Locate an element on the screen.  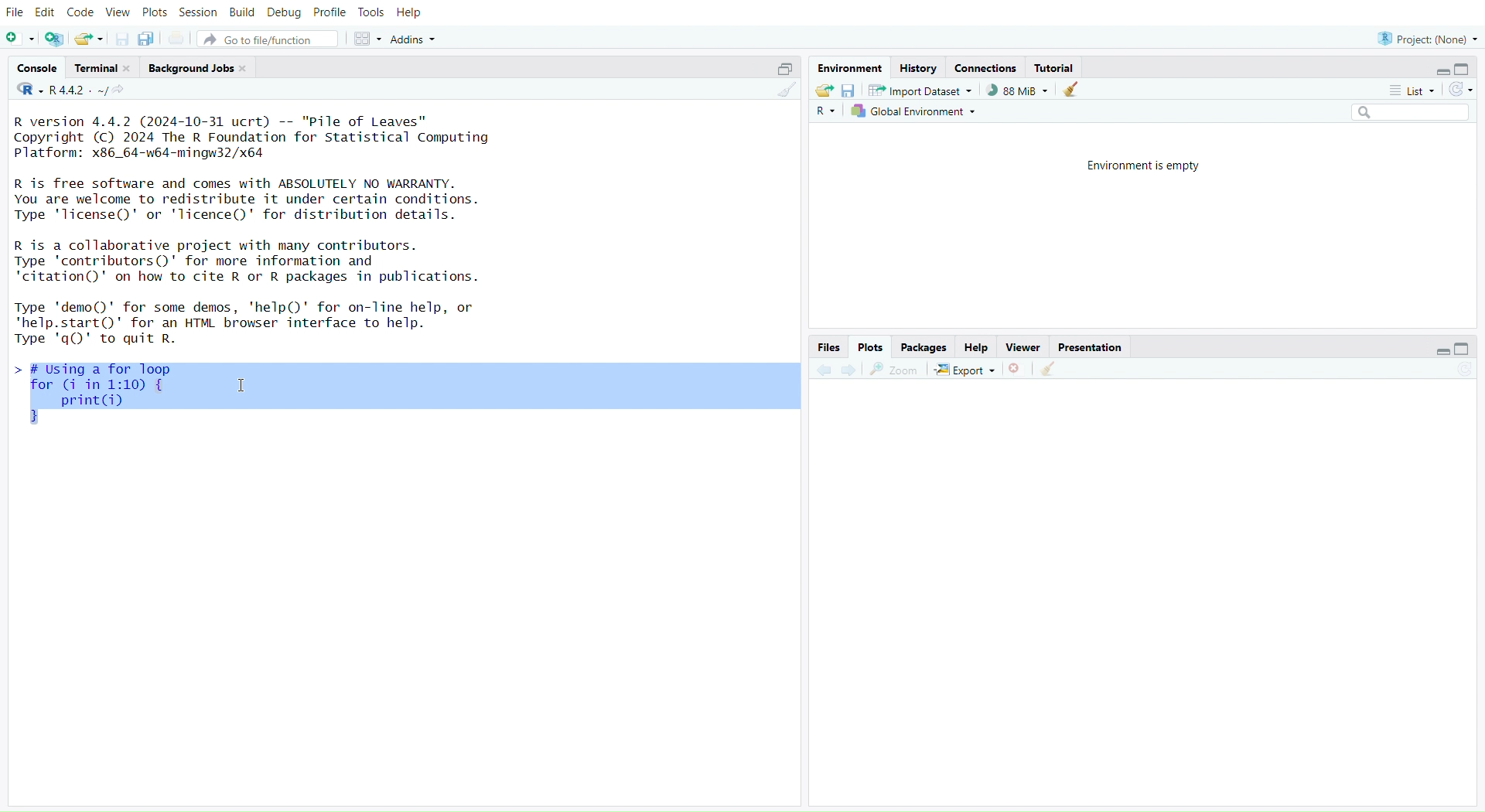
project (None) is located at coordinates (1426, 39).